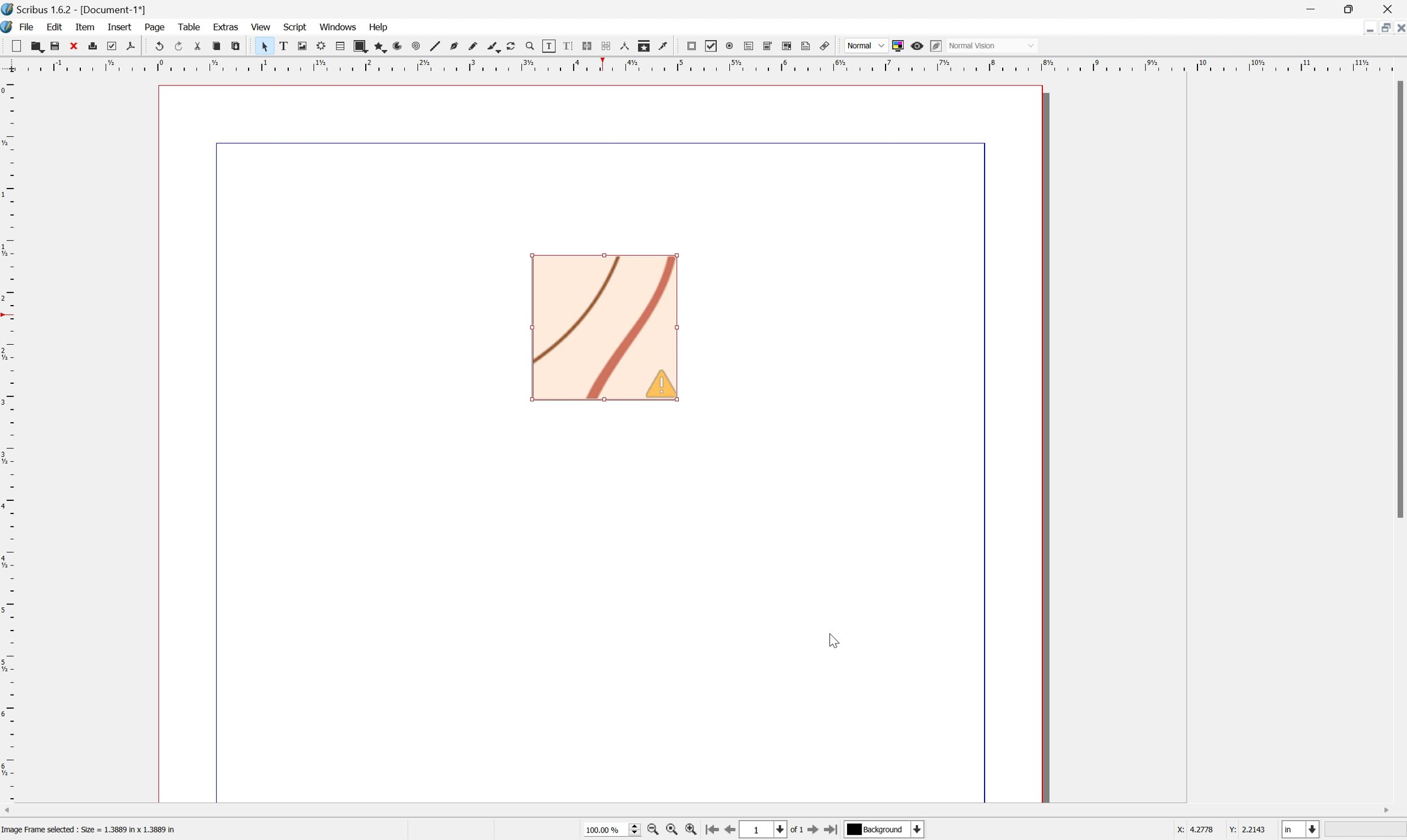 The width and height of the screenshot is (1407, 840). Describe the element at coordinates (1353, 8) in the screenshot. I see `Restore down` at that location.